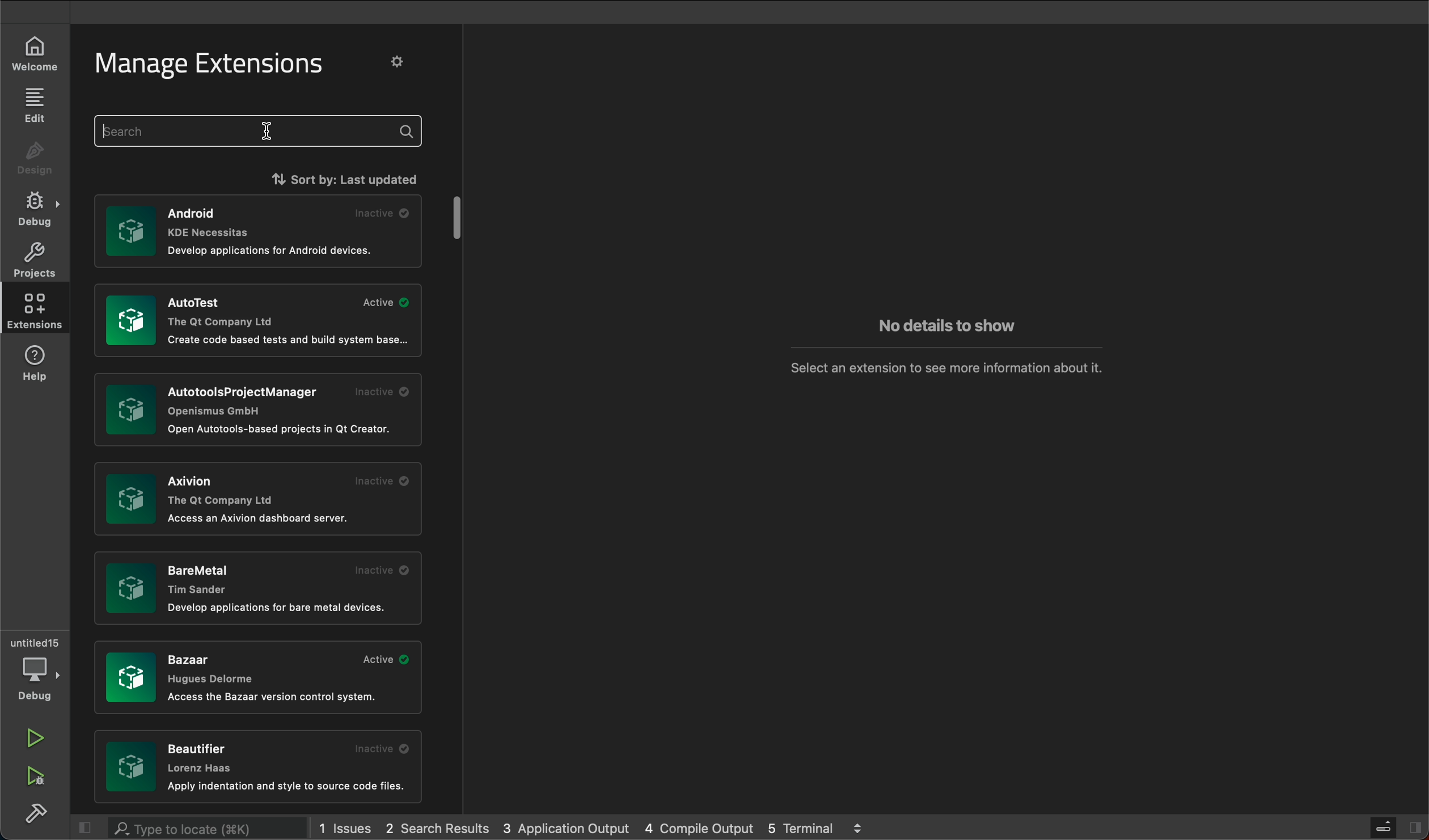 This screenshot has width=1429, height=840. What do you see at coordinates (130, 587) in the screenshot?
I see `image` at bounding box center [130, 587].